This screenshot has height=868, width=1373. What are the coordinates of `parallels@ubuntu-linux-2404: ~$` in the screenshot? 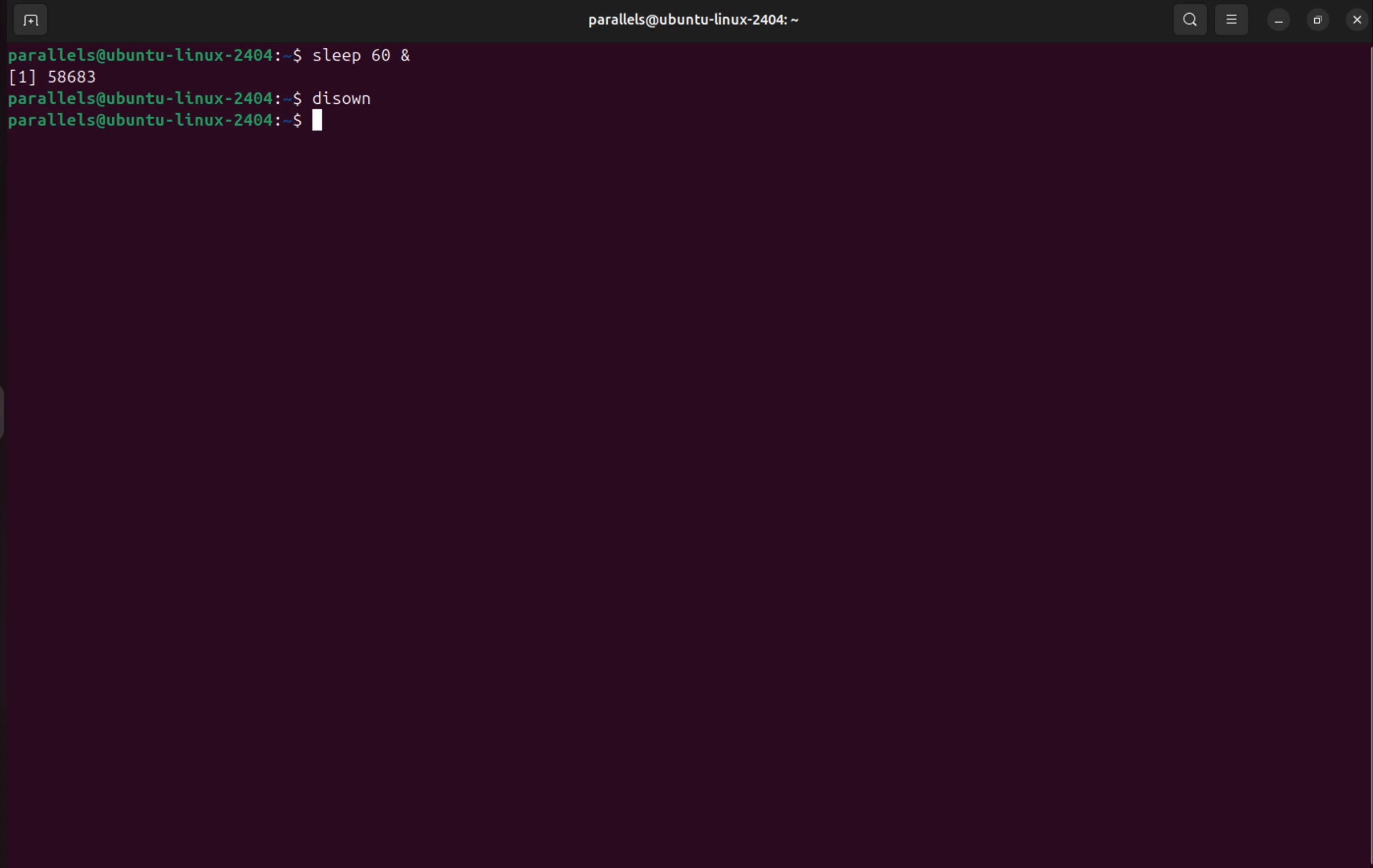 It's located at (154, 100).